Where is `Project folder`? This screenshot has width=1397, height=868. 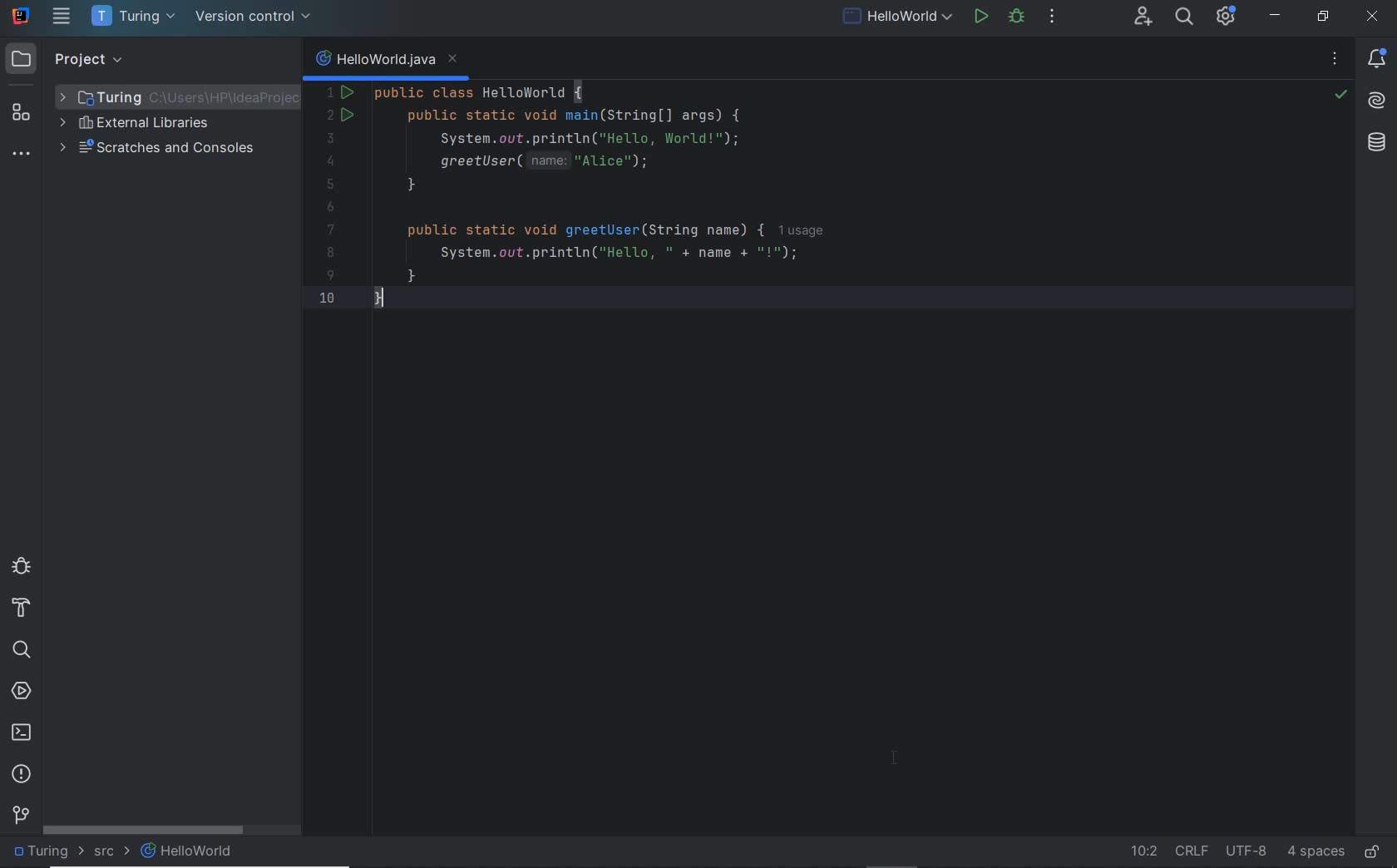
Project folder is located at coordinates (163, 96).